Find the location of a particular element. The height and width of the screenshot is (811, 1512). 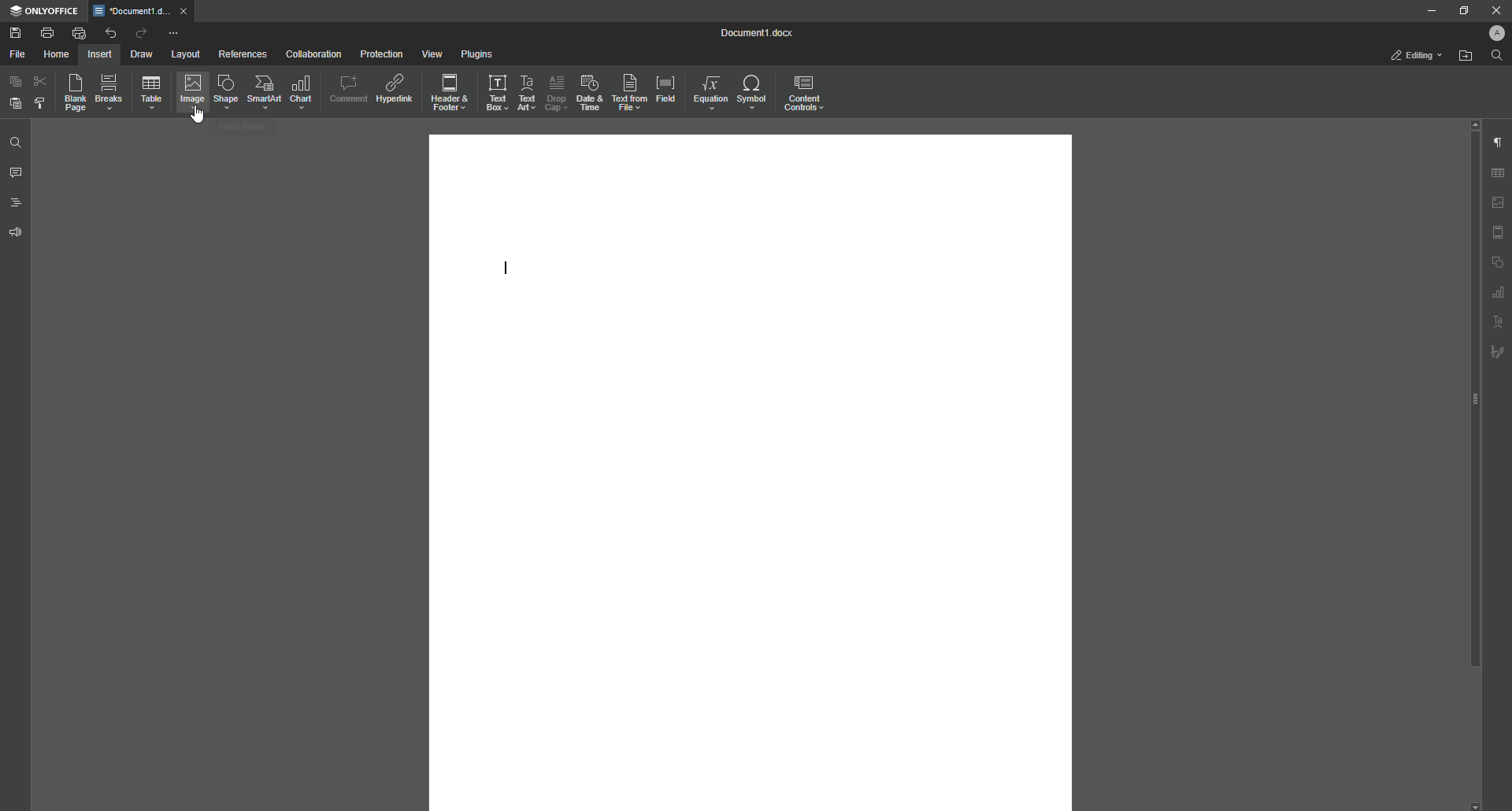

Find is located at coordinates (17, 140).